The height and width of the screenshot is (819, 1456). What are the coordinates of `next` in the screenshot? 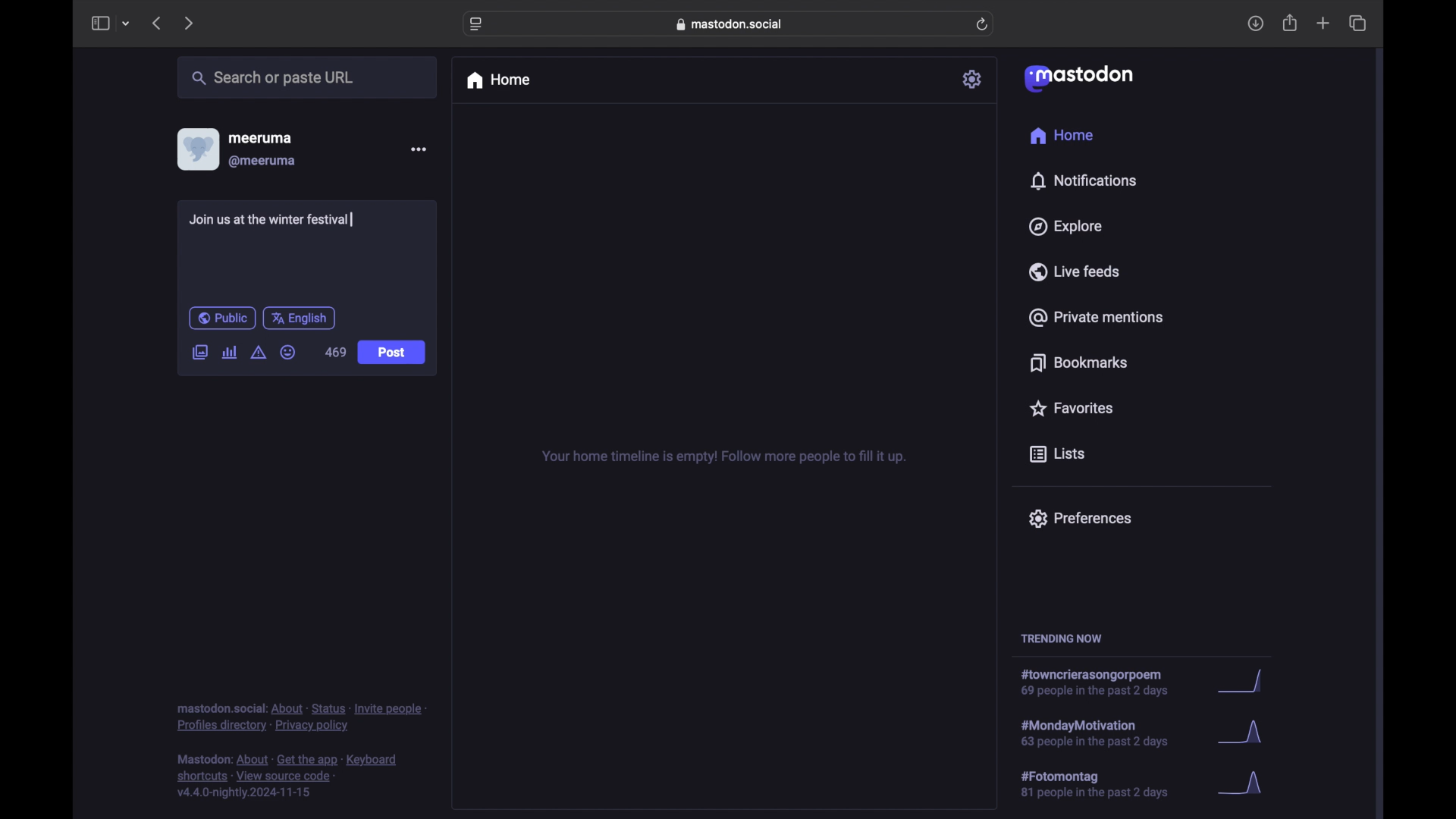 It's located at (190, 23).